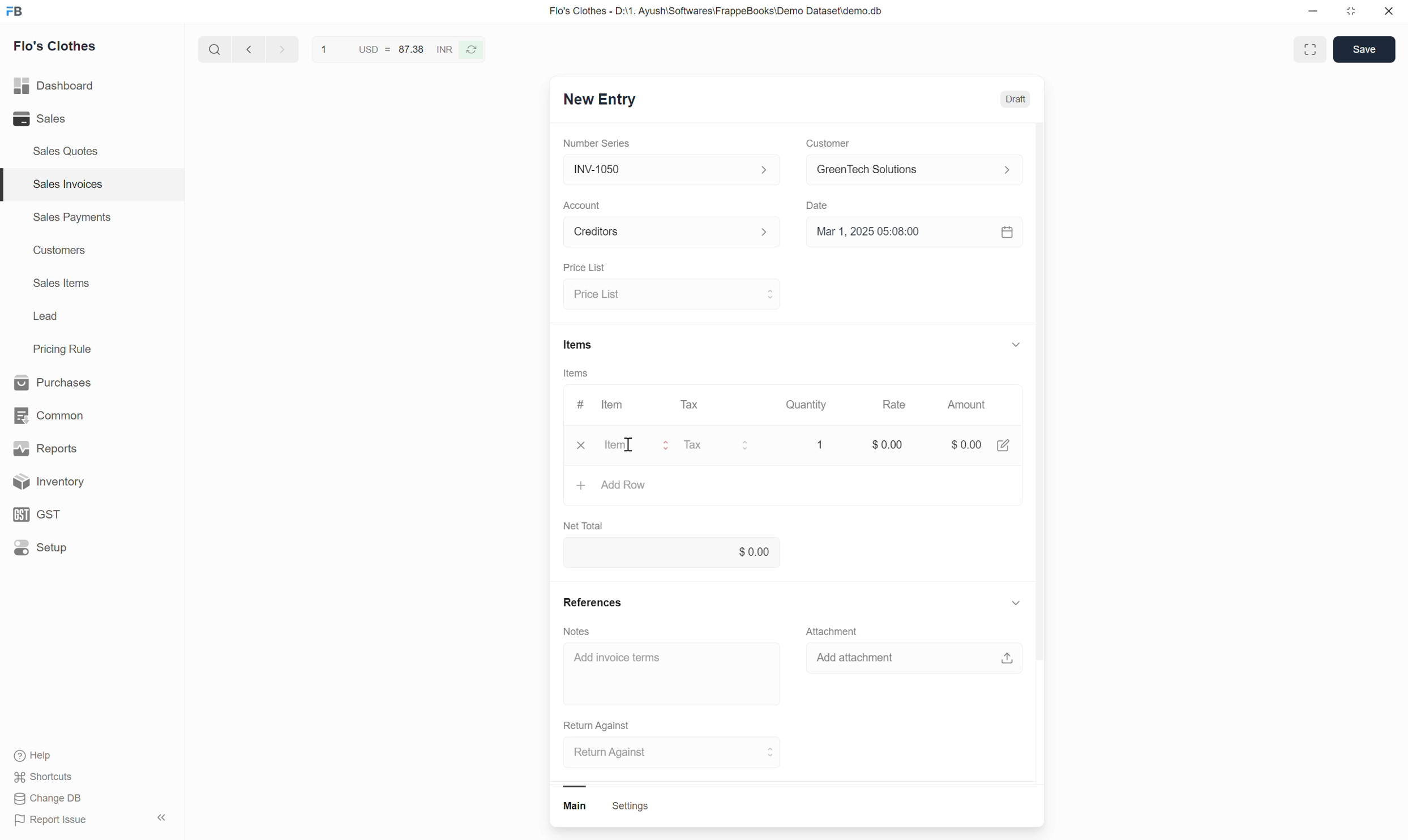 The image size is (1408, 840). I want to click on Select Number series, so click(669, 169).